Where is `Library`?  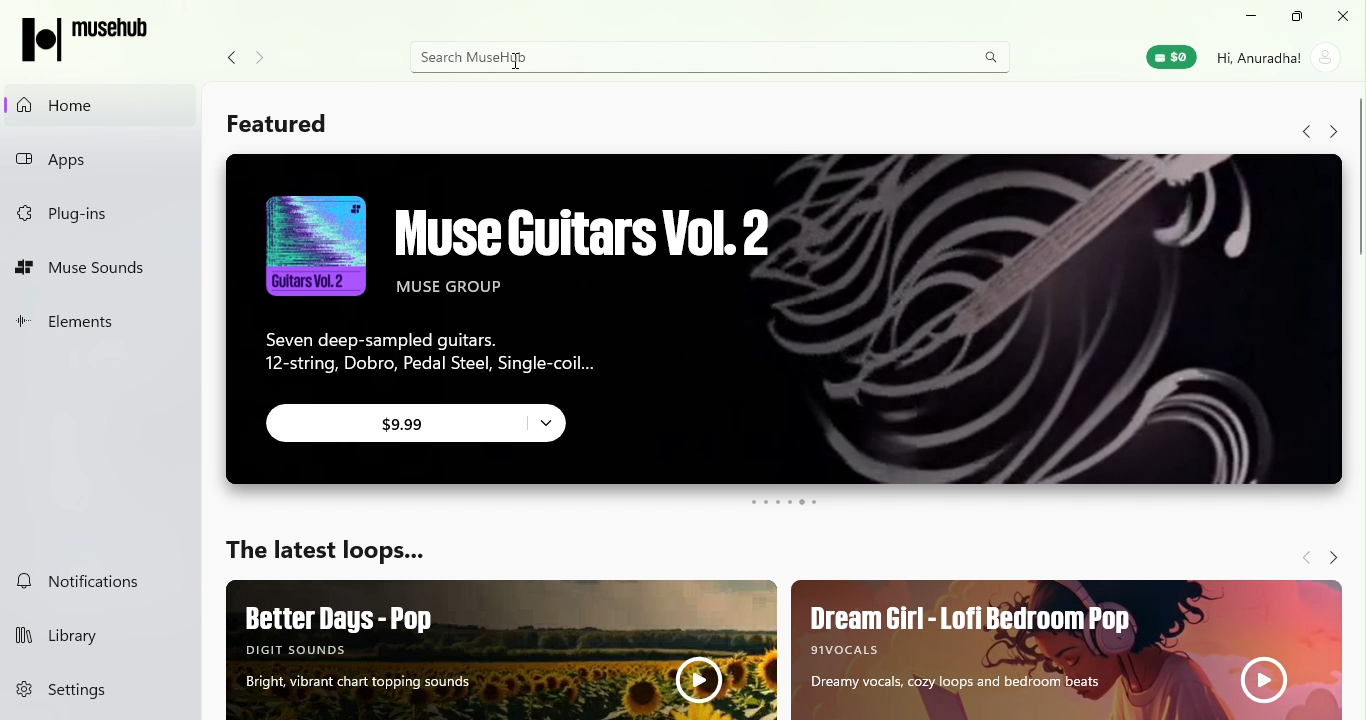
Library is located at coordinates (95, 637).